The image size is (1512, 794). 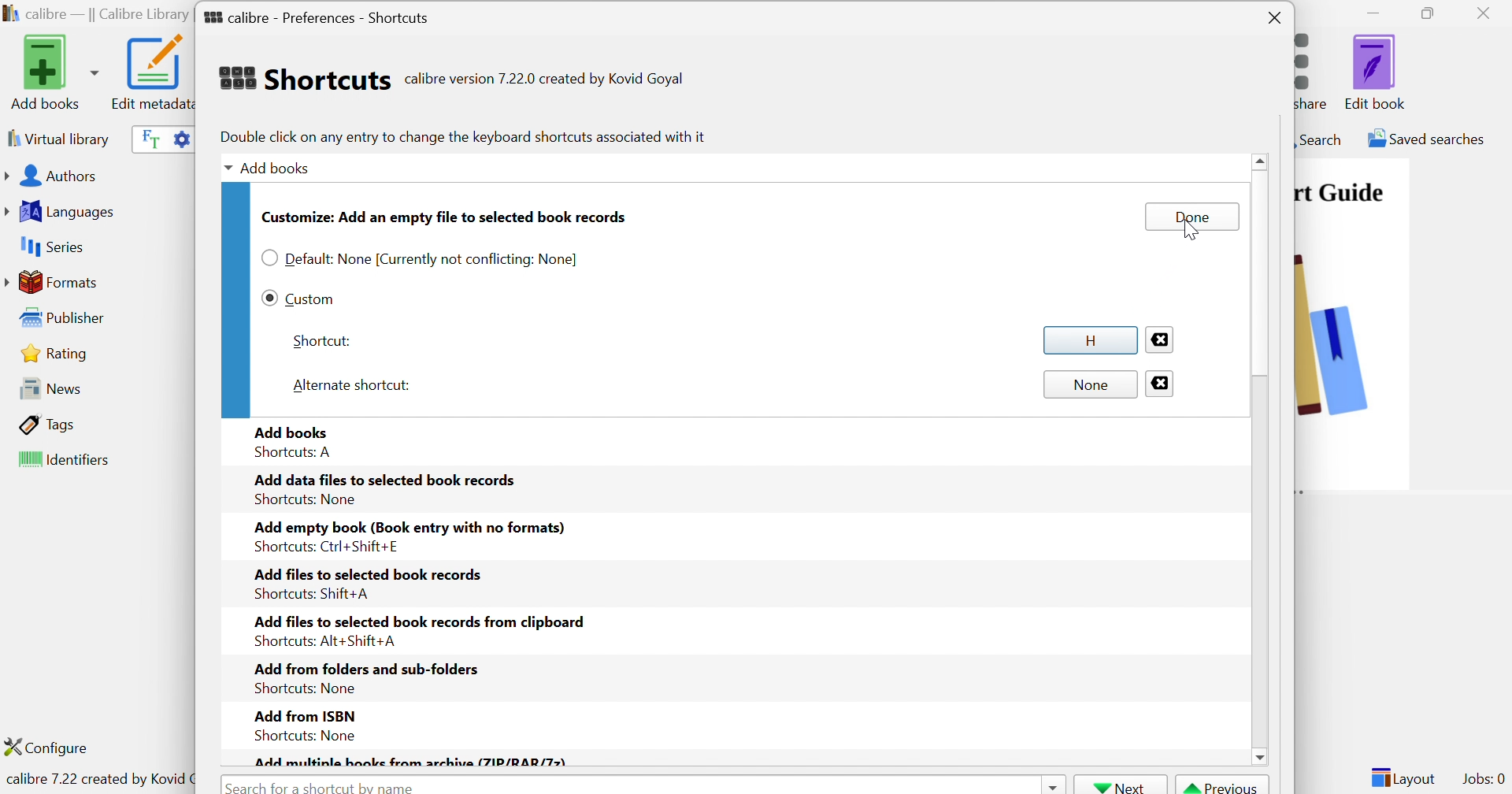 What do you see at coordinates (1373, 12) in the screenshot?
I see `Minimize` at bounding box center [1373, 12].